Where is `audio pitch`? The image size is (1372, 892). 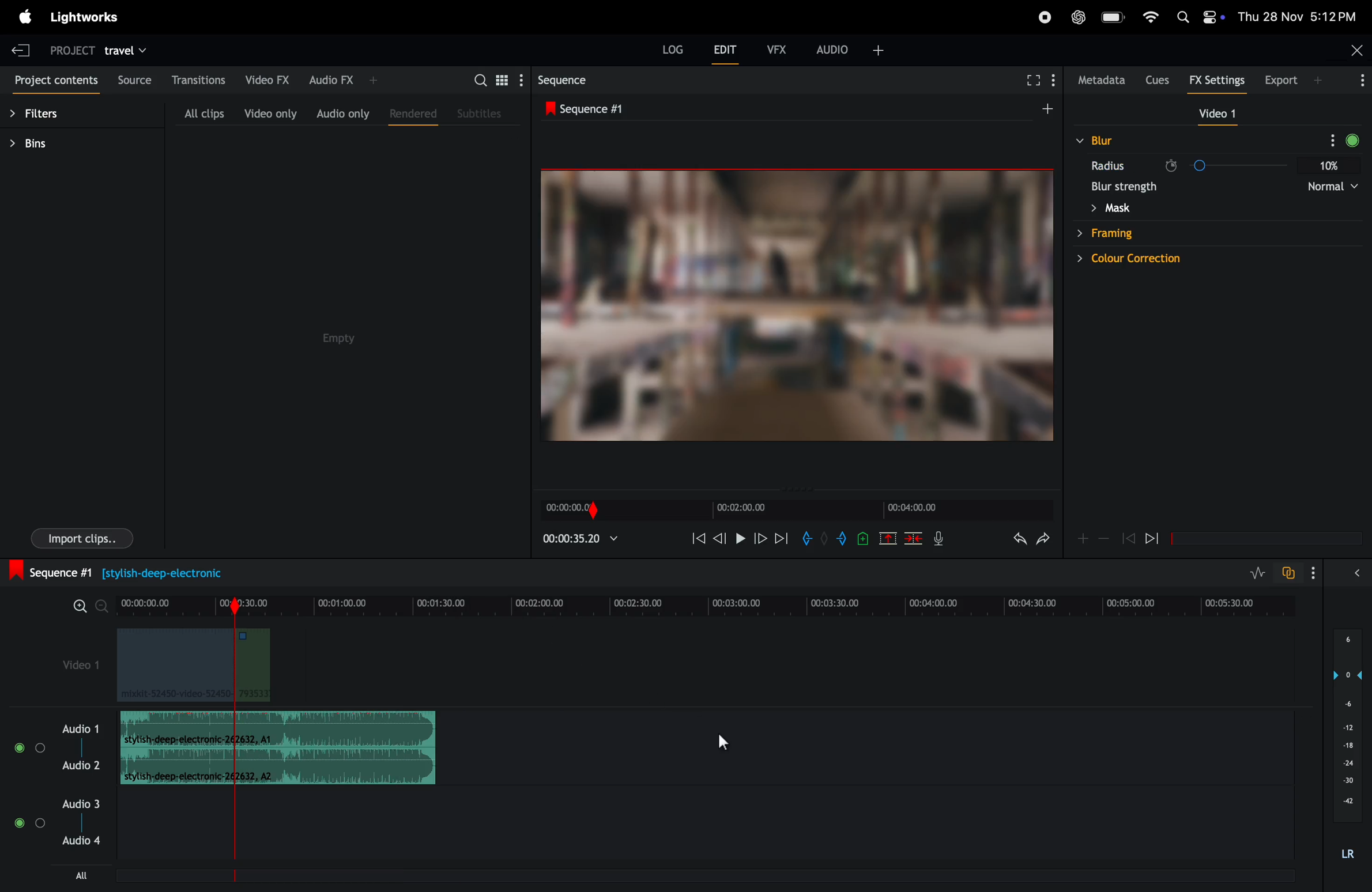 audio pitch is located at coordinates (1347, 743).